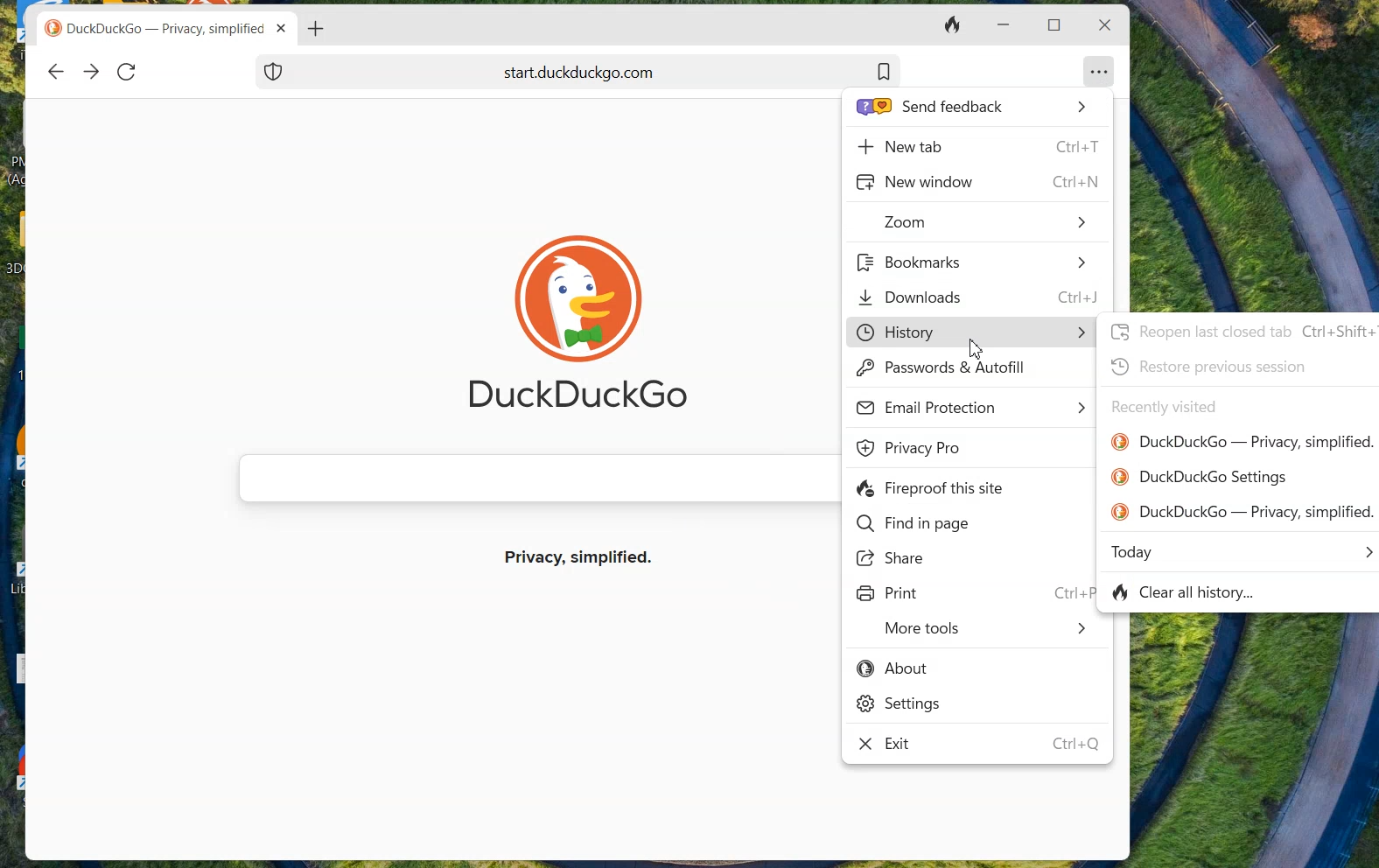  I want to click on Bookmarks, so click(971, 262).